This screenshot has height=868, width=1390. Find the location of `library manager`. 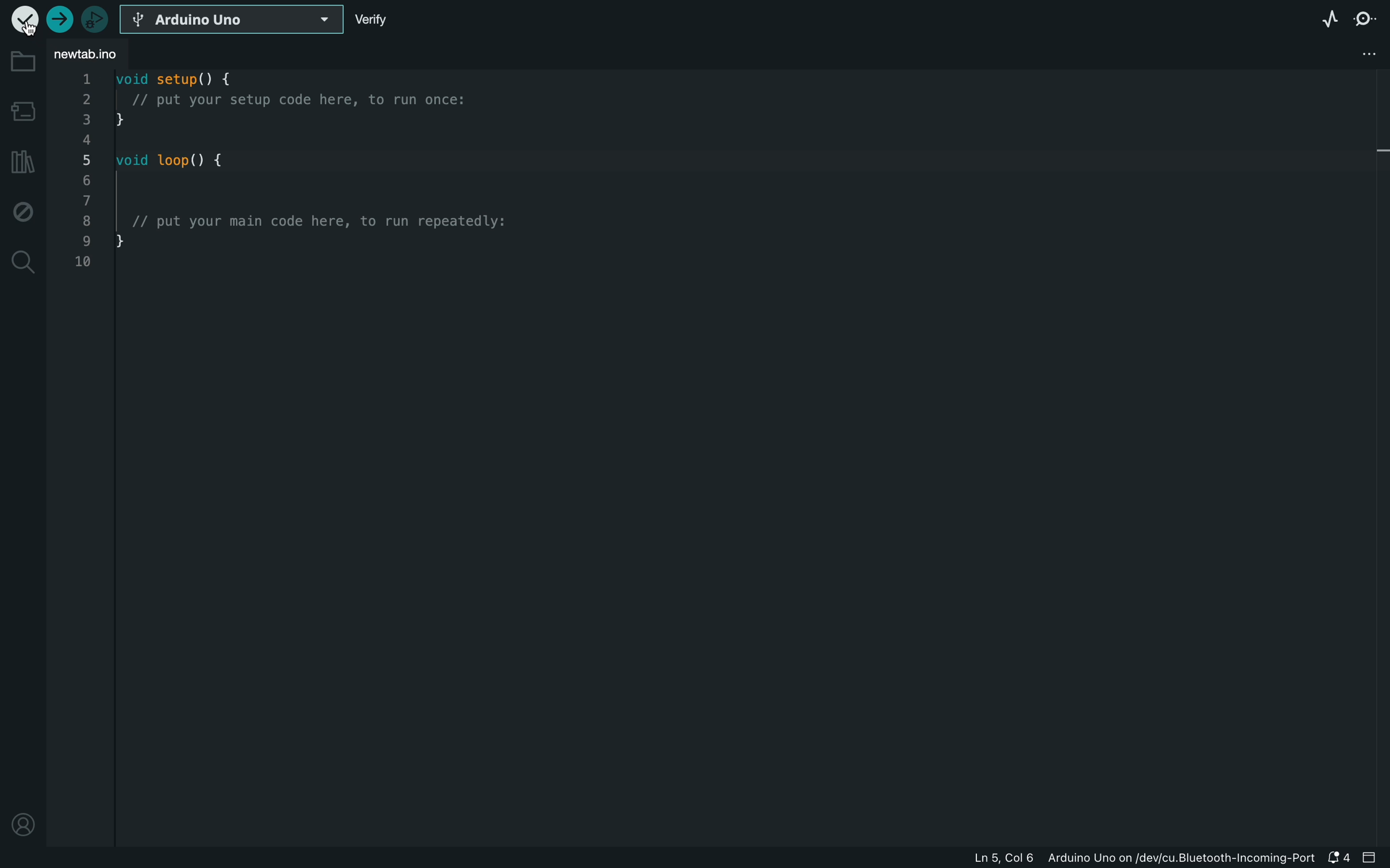

library manager is located at coordinates (21, 160).